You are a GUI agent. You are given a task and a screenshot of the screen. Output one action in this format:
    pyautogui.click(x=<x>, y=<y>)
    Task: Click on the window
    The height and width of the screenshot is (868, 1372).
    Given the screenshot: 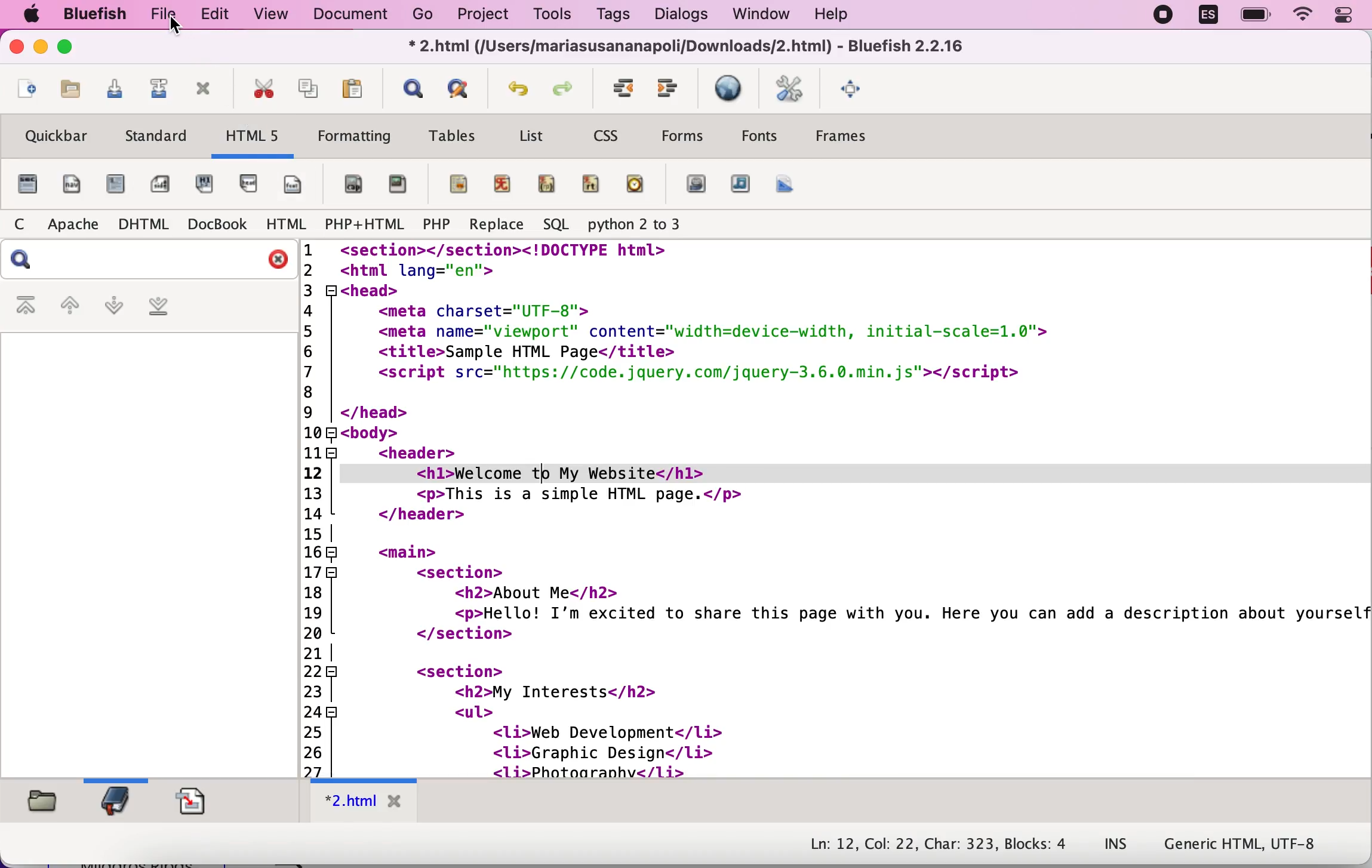 What is the action you would take?
    pyautogui.click(x=755, y=14)
    